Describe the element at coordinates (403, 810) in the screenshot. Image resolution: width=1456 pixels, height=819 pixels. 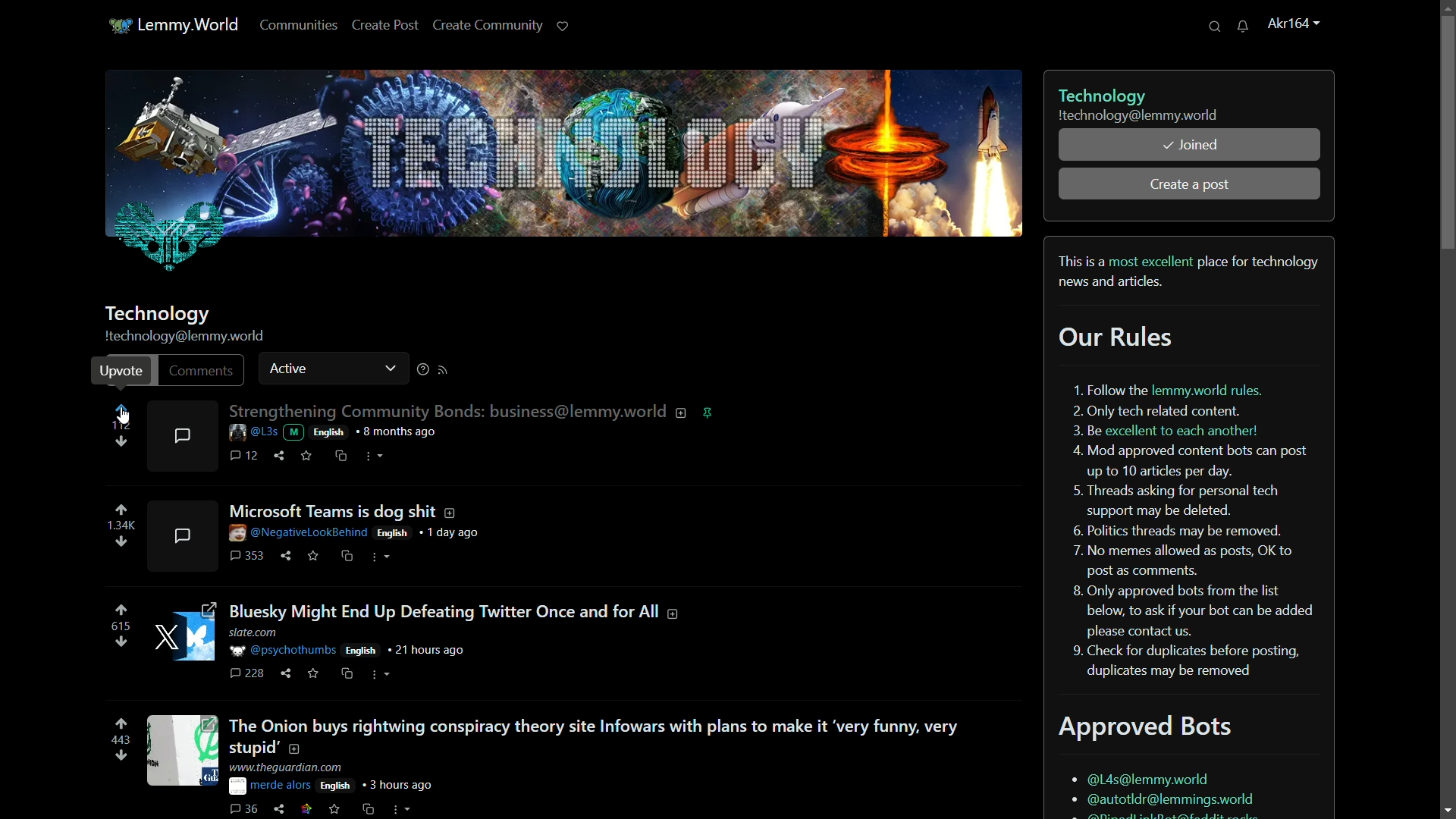
I see `more` at that location.